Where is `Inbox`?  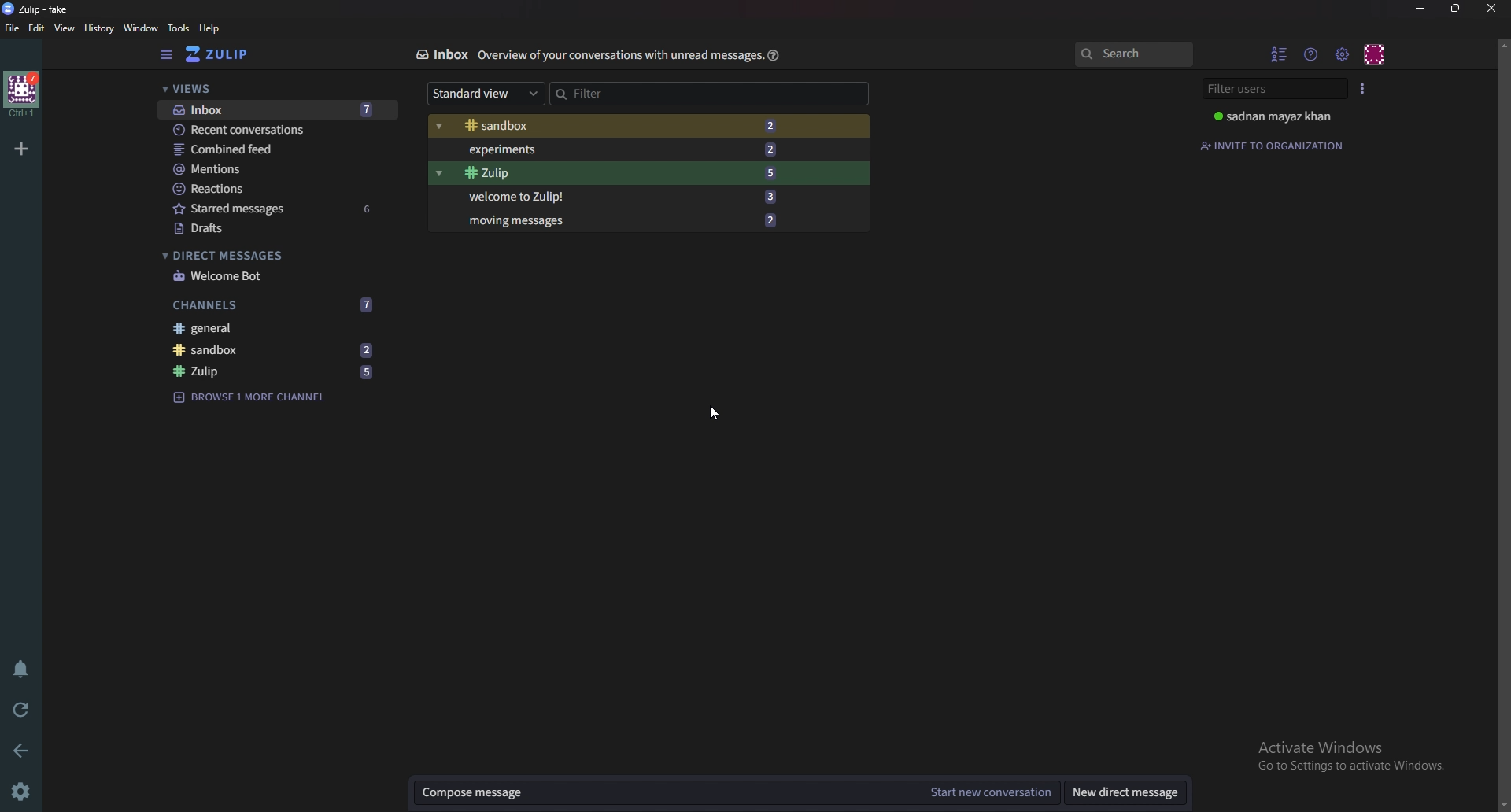 Inbox is located at coordinates (441, 54).